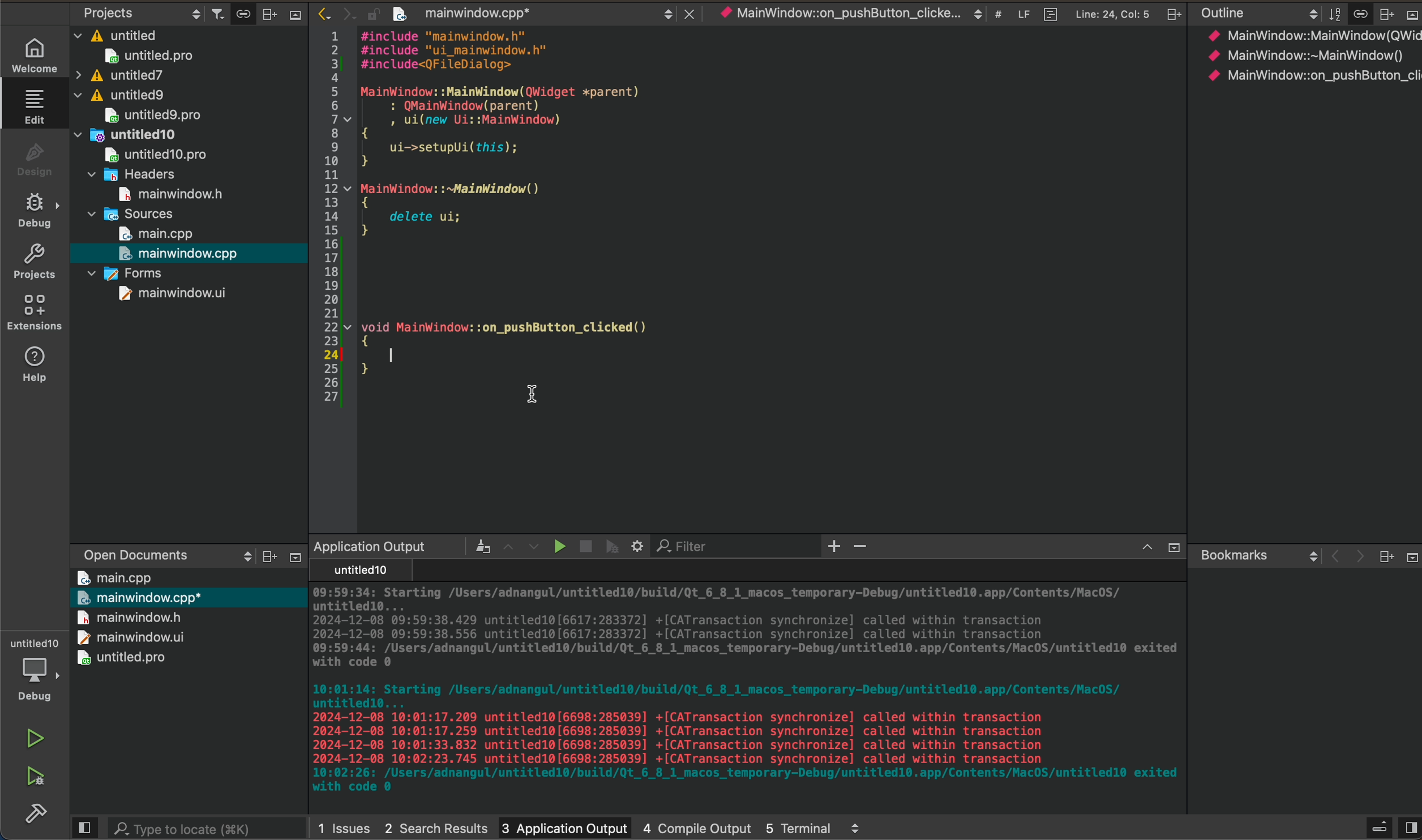  I want to click on up, so click(1141, 548).